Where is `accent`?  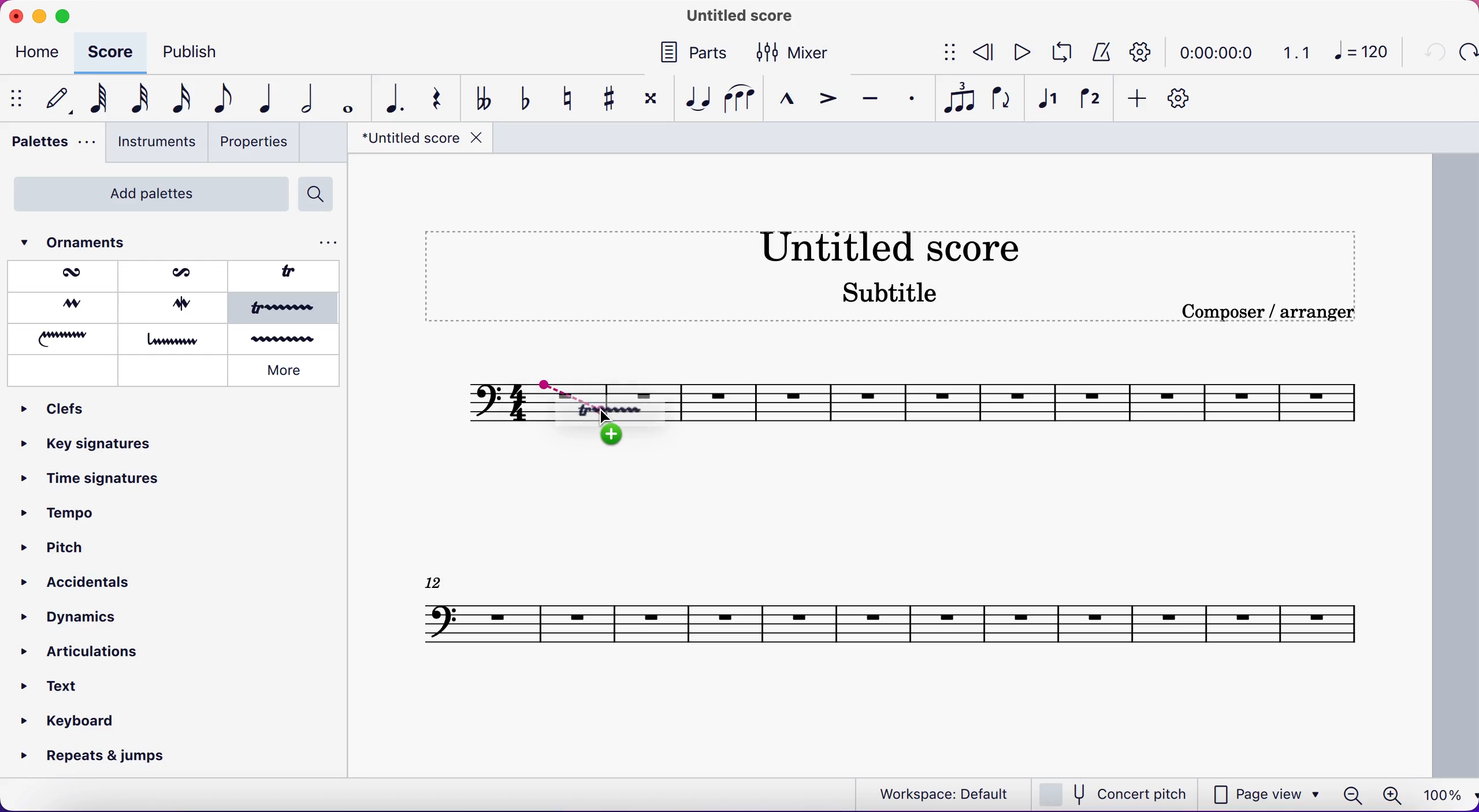
accent is located at coordinates (827, 98).